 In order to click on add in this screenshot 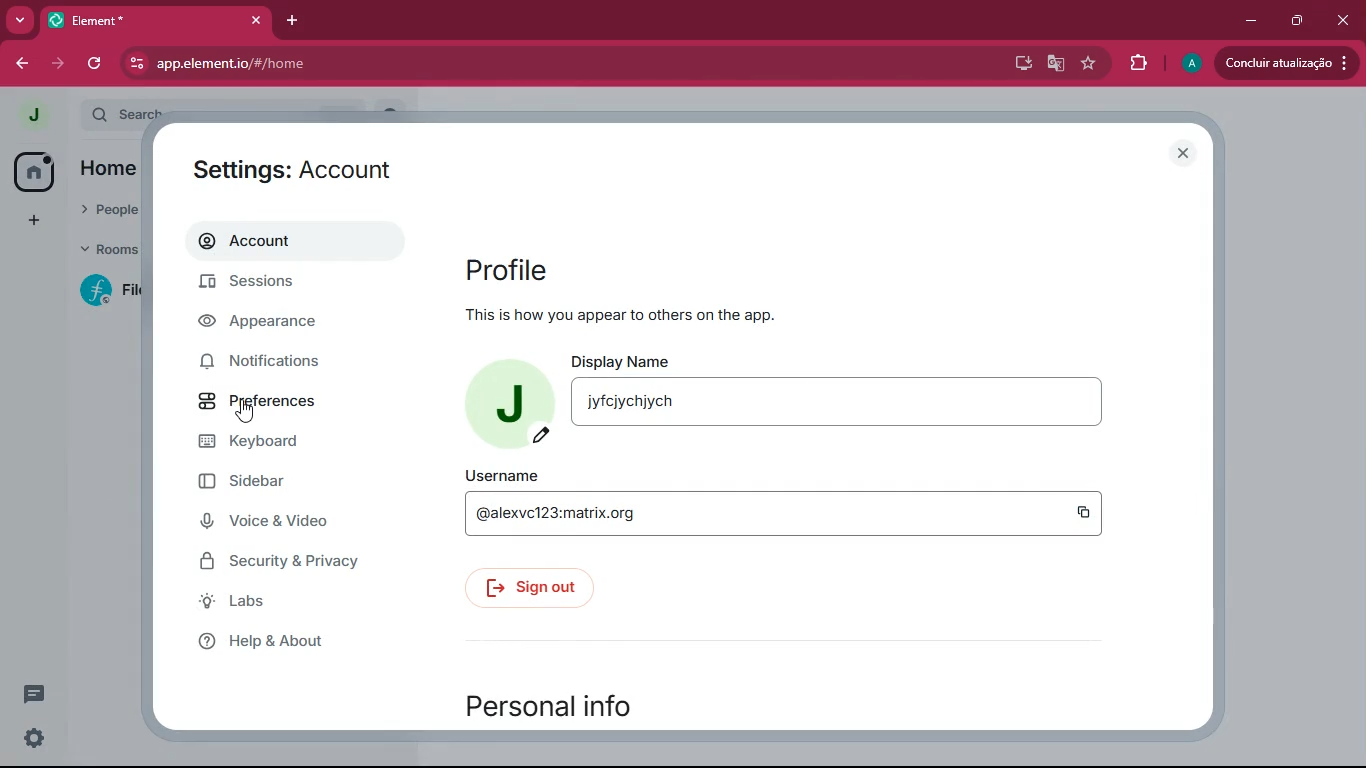, I will do `click(35, 219)`.